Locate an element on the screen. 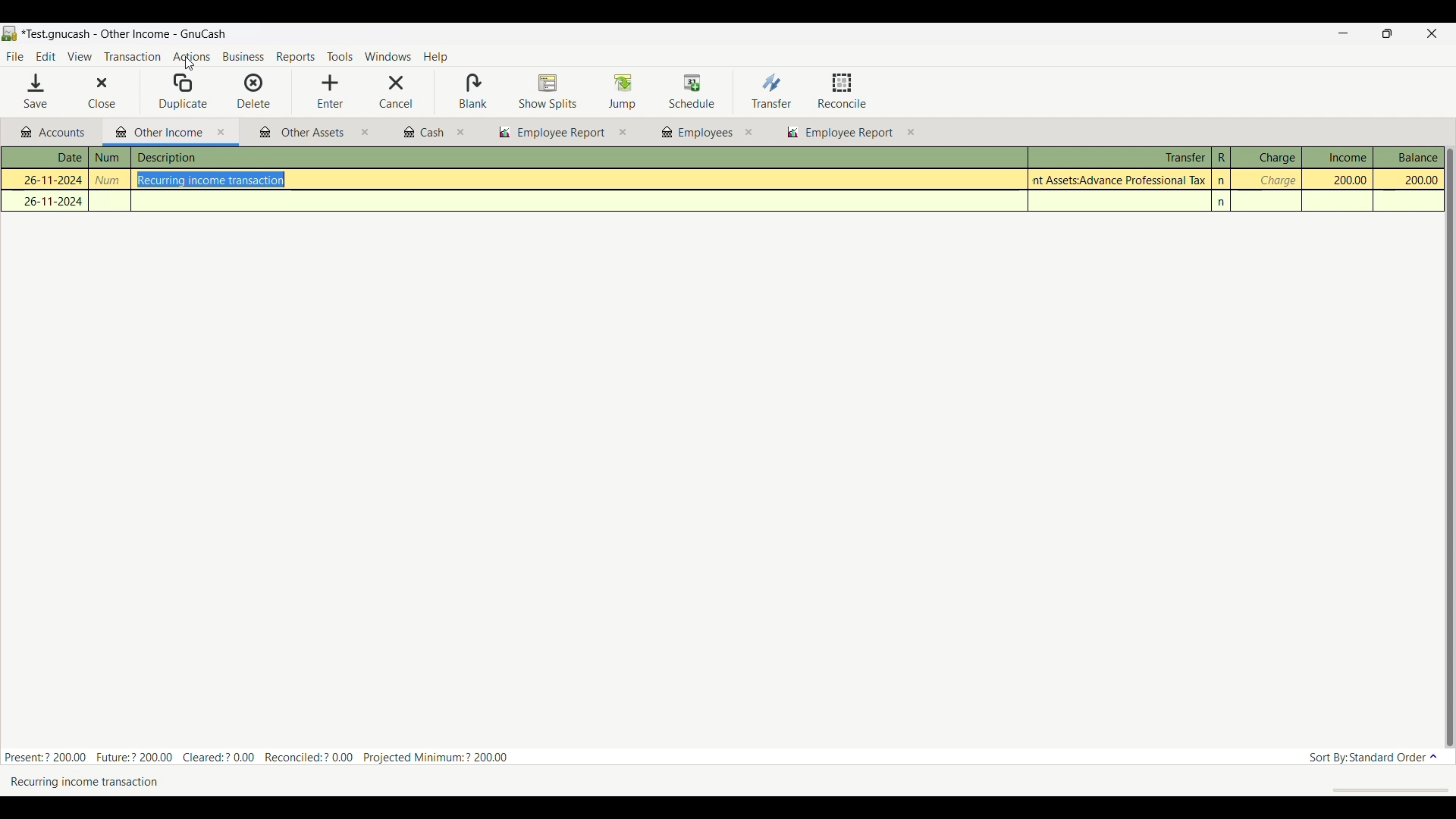 The width and height of the screenshot is (1456, 819). Recurring income transaction is located at coordinates (217, 180).